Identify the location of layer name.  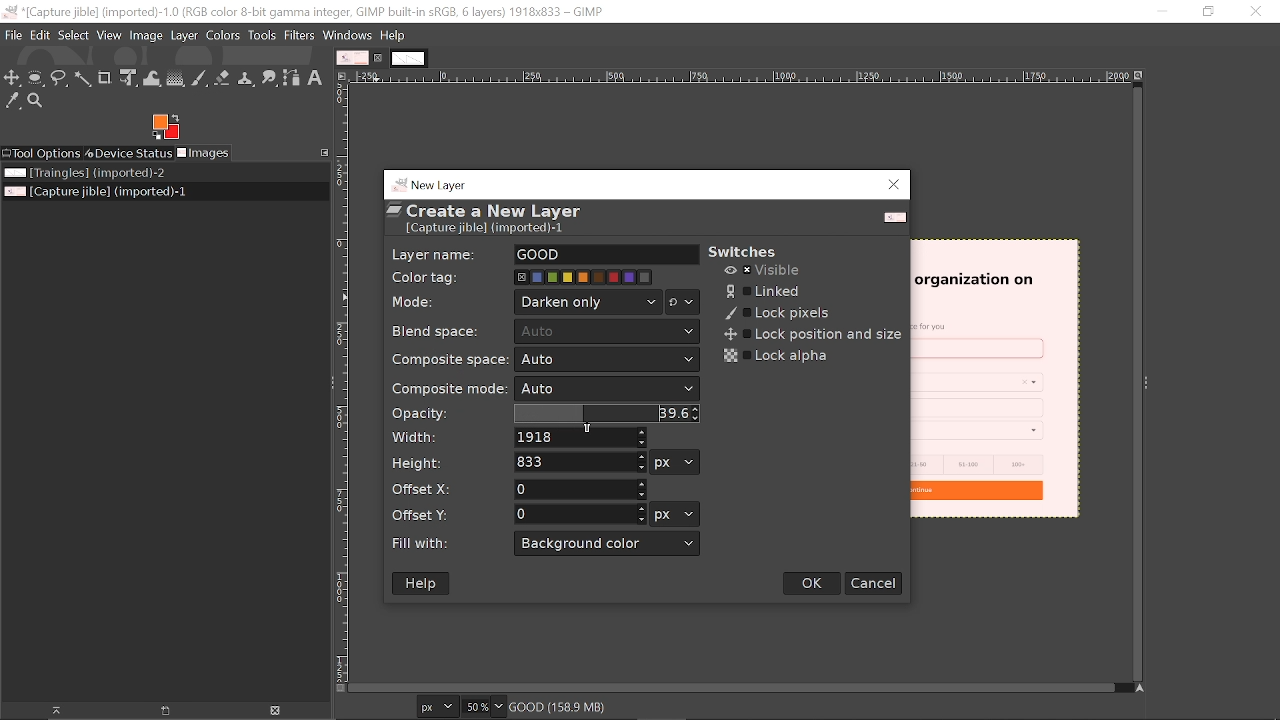
(606, 255).